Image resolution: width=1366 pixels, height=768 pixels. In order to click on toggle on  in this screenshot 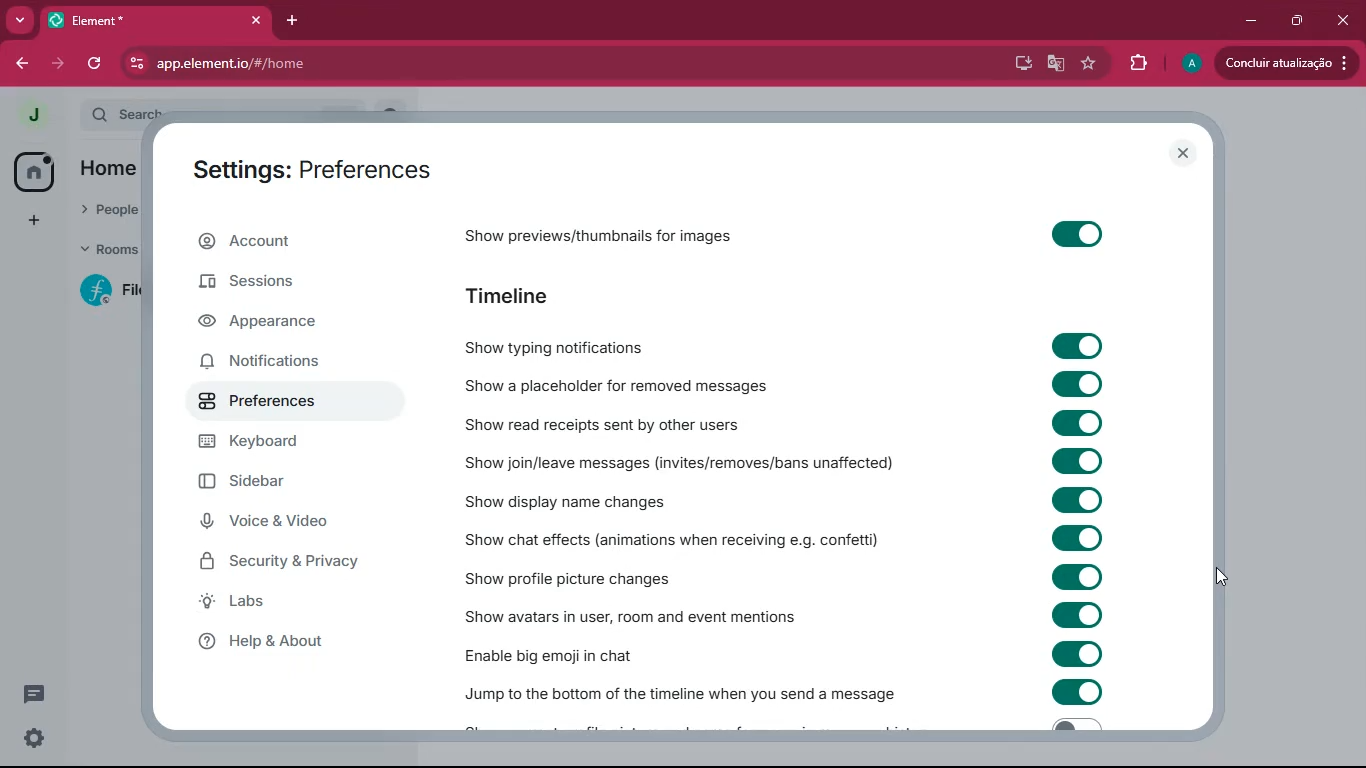, I will do `click(1078, 692)`.